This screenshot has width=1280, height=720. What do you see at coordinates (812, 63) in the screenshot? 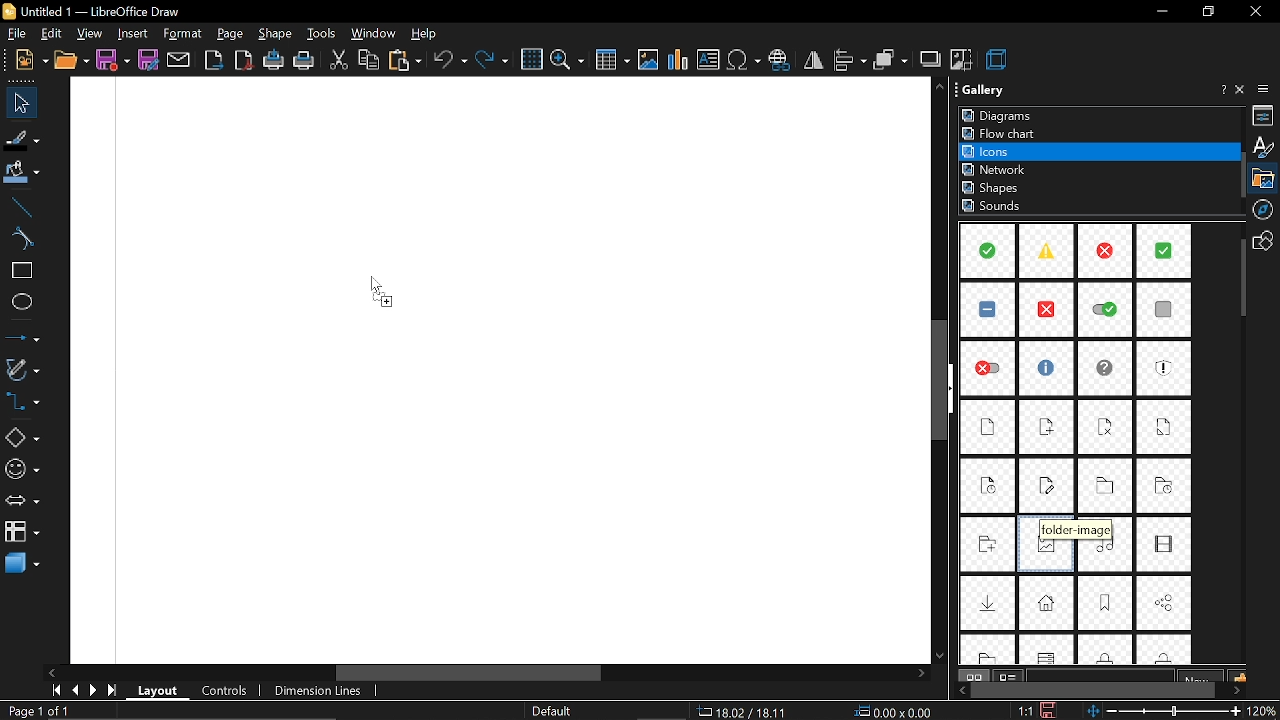
I see `flip` at bounding box center [812, 63].